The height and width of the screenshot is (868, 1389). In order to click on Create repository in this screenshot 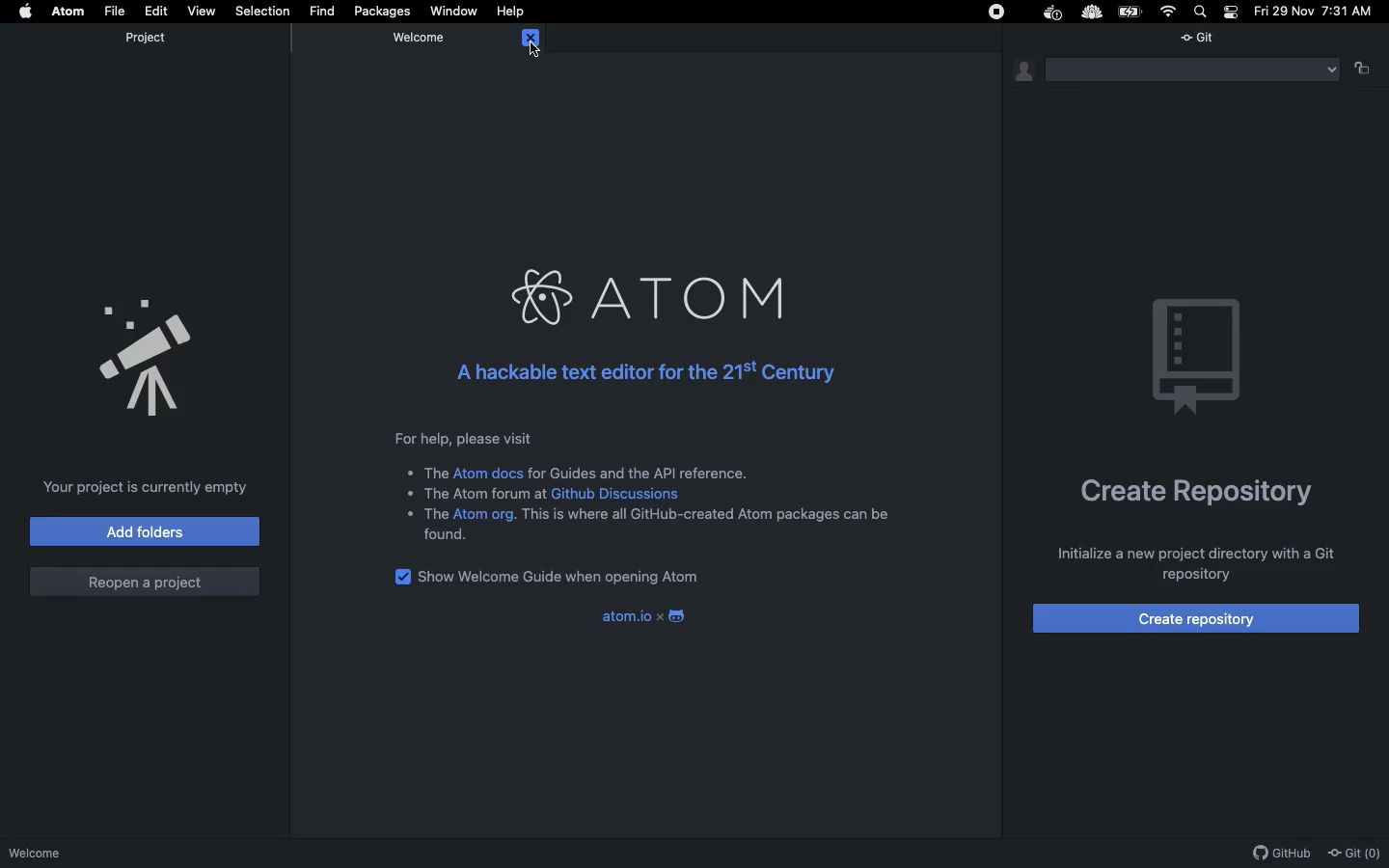, I will do `click(1197, 498)`.